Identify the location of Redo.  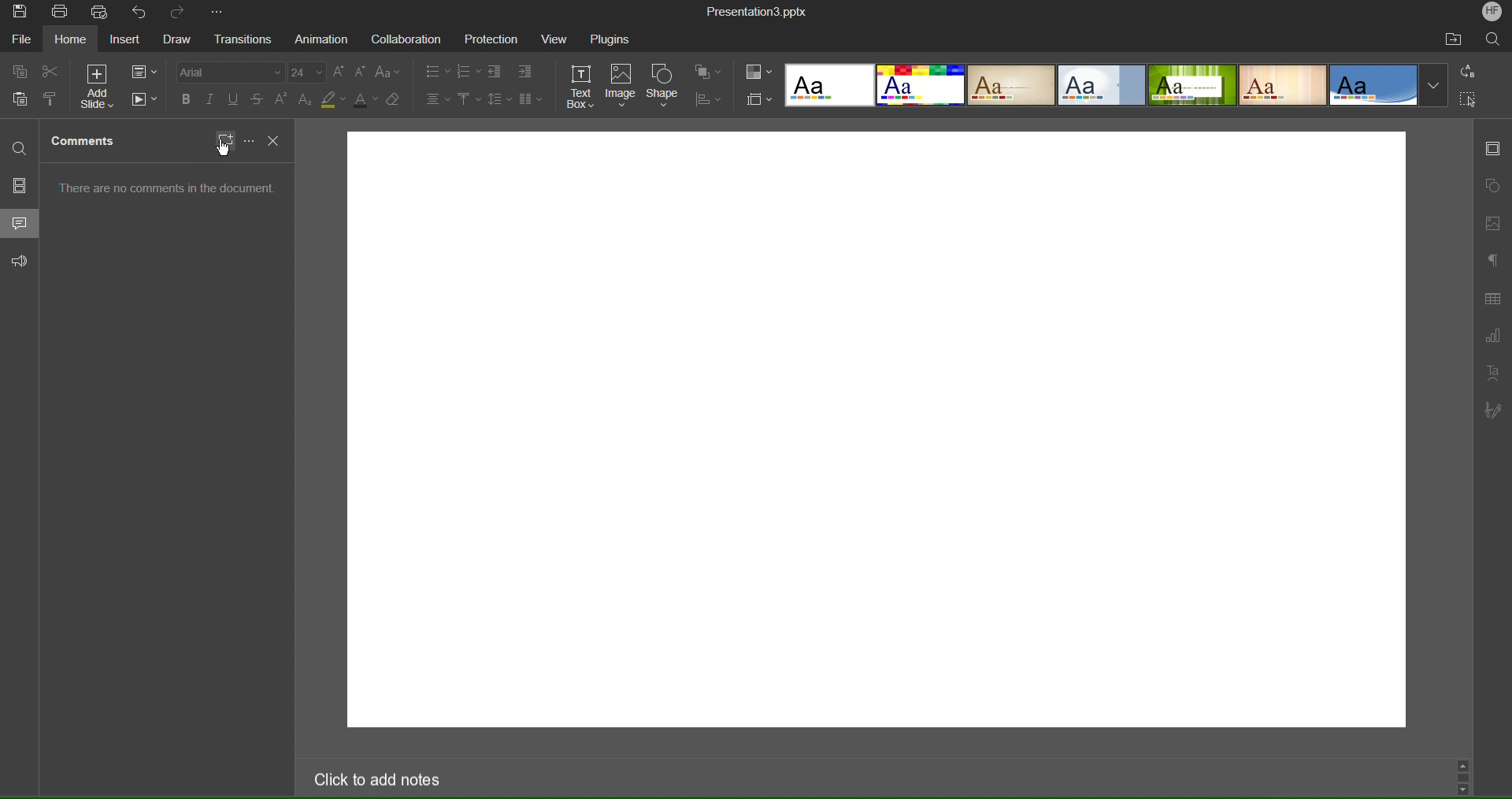
(180, 14).